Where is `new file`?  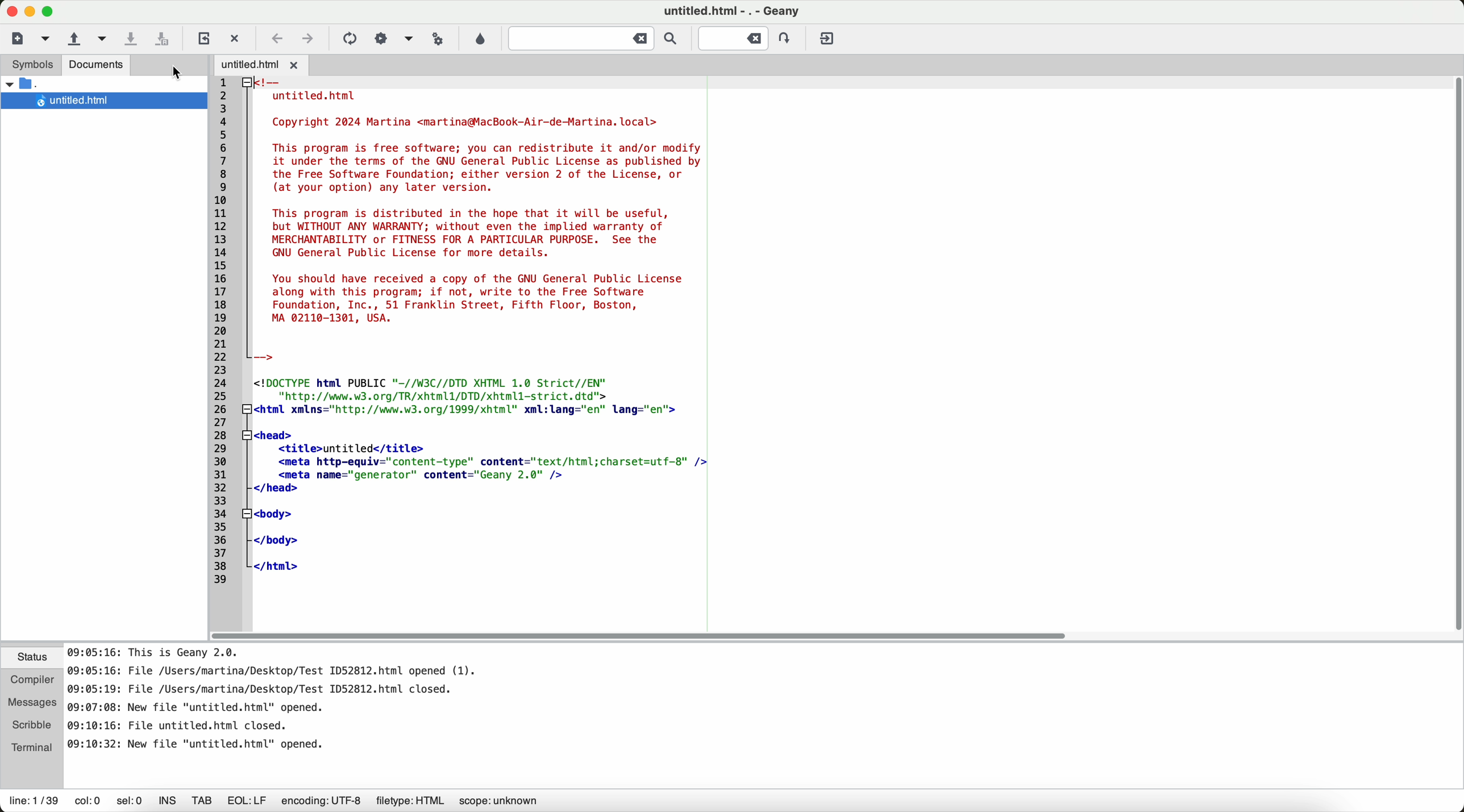 new file is located at coordinates (15, 38).